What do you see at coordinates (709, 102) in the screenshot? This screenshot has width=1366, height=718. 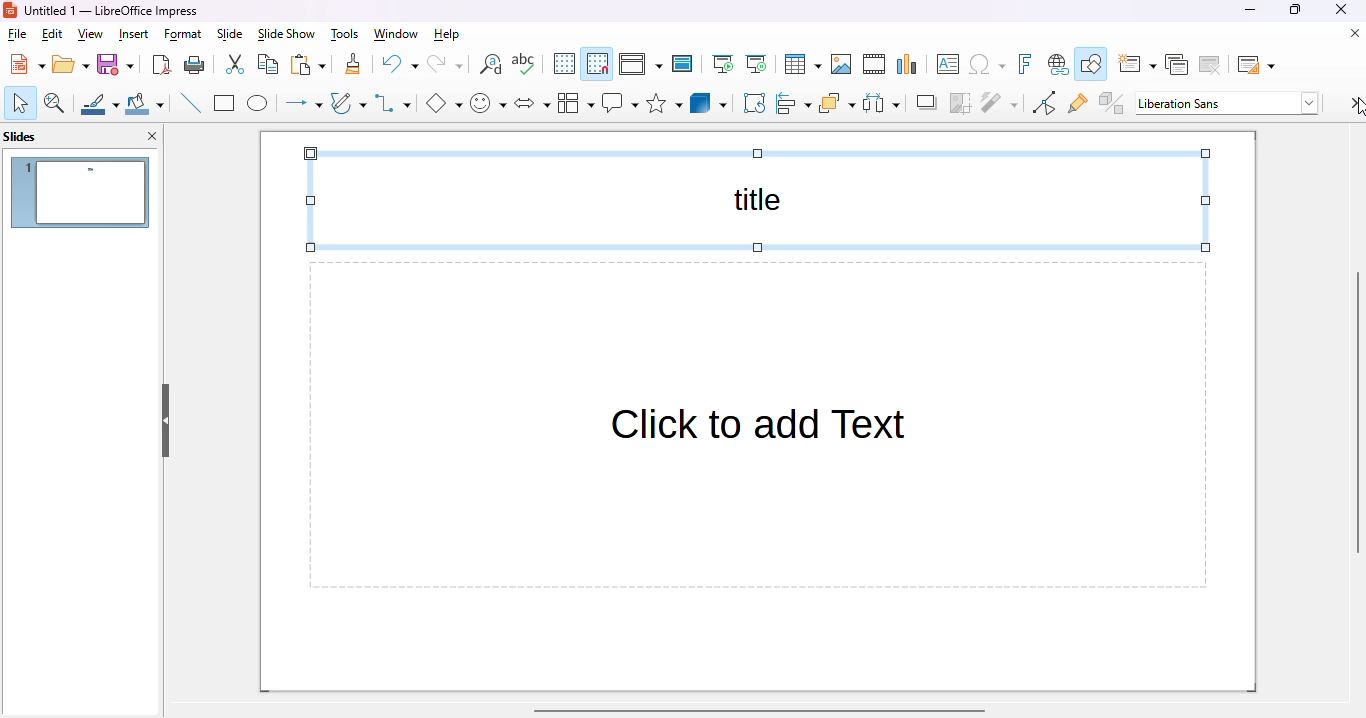 I see `3D objects` at bounding box center [709, 102].